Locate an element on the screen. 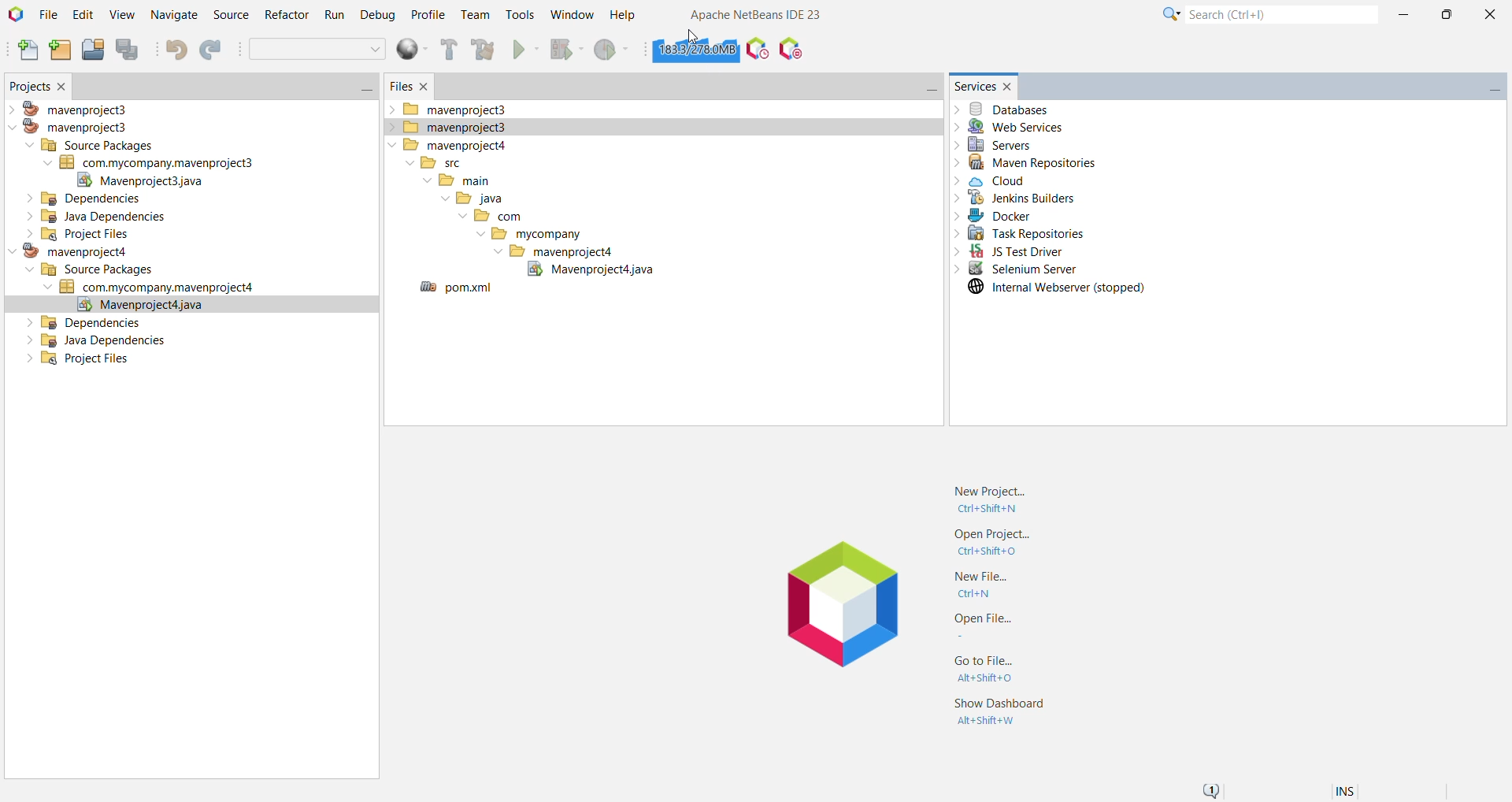 Image resolution: width=1512 pixels, height=802 pixels. New Project is located at coordinates (57, 50).